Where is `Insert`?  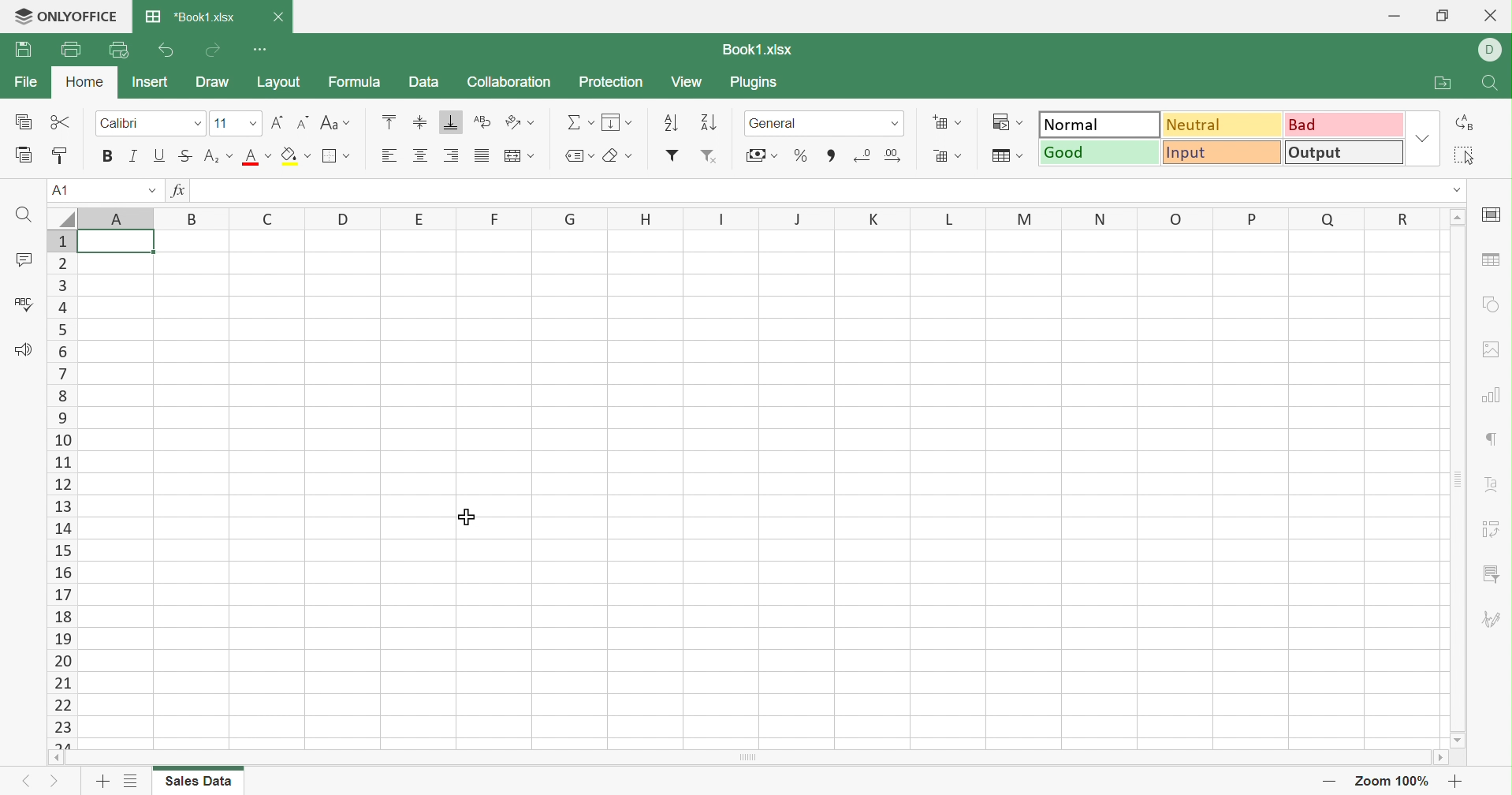 Insert is located at coordinates (152, 82).